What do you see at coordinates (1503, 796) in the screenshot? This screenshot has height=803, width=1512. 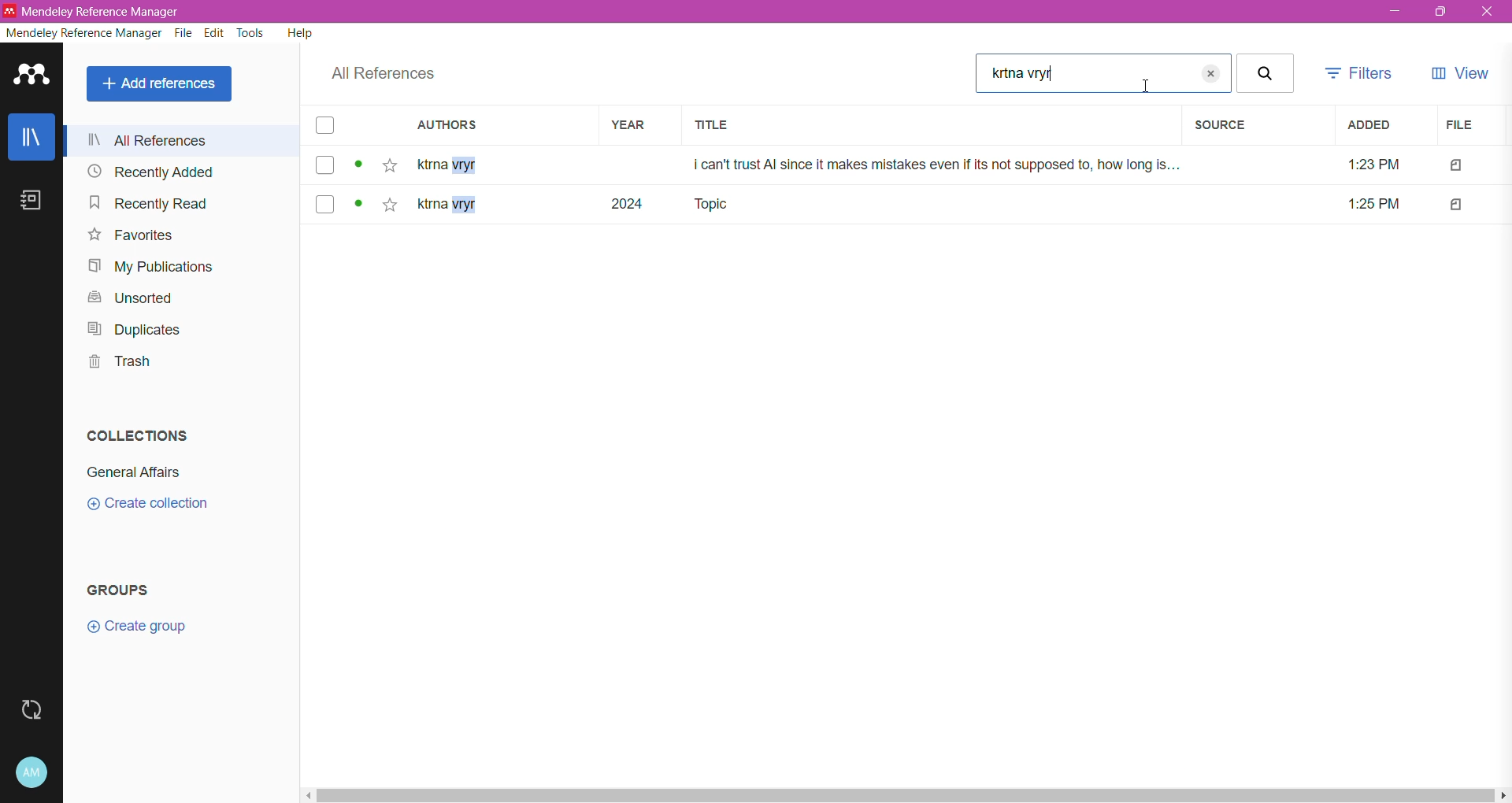 I see `move right` at bounding box center [1503, 796].